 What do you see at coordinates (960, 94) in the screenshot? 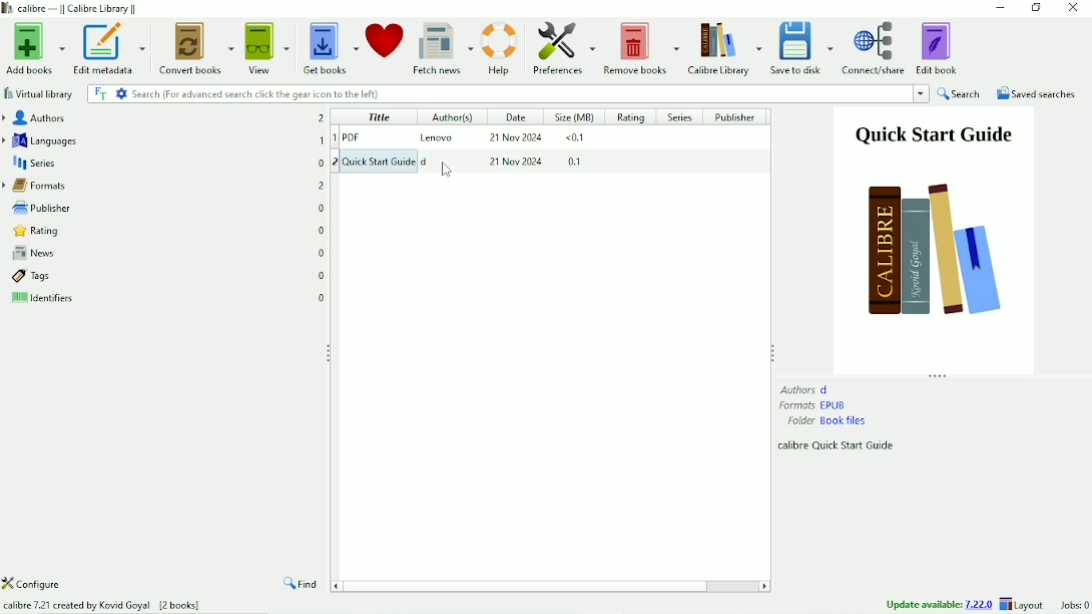
I see `Search` at bounding box center [960, 94].